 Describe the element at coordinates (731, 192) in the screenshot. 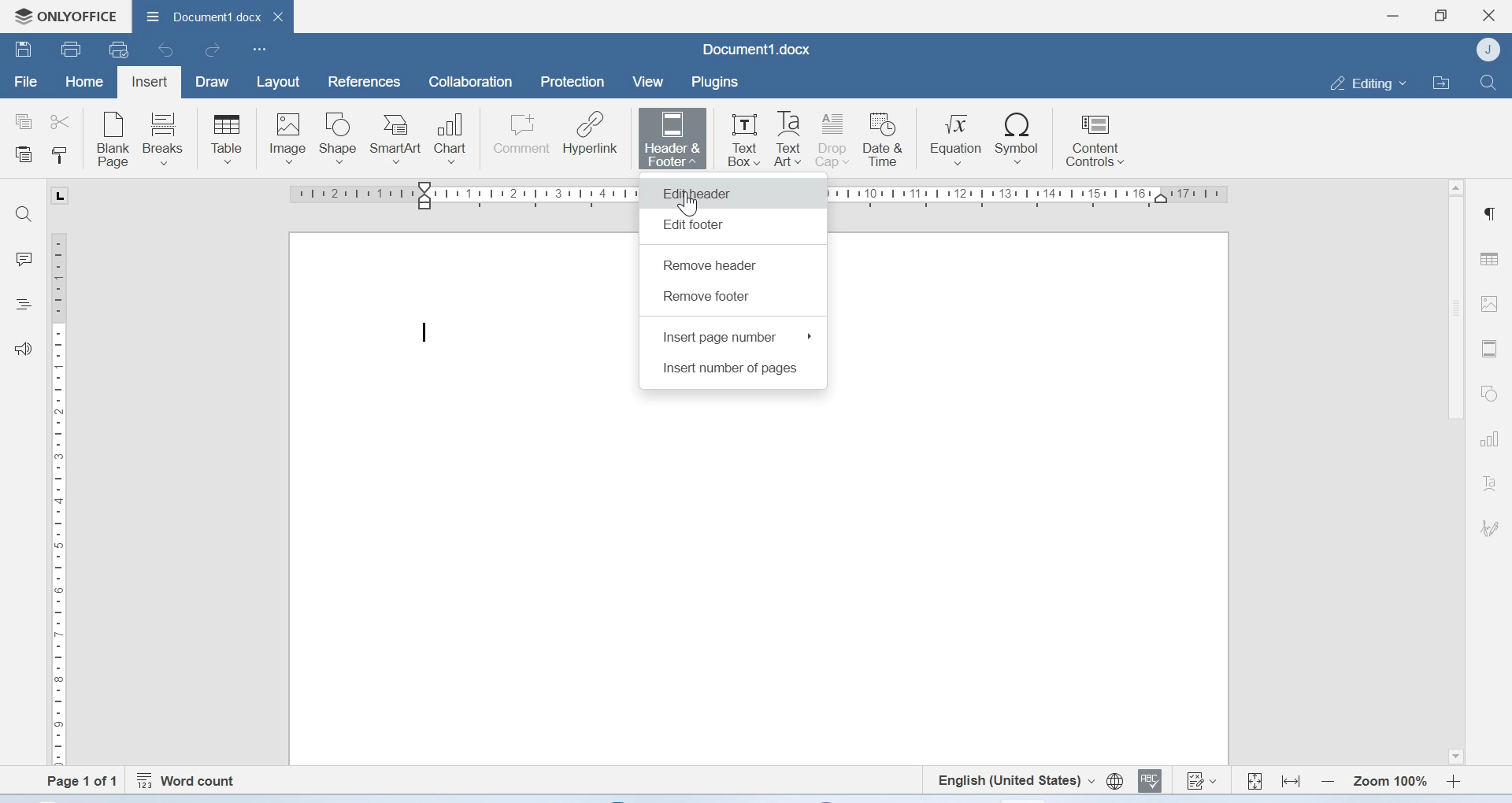

I see `Edit header` at that location.